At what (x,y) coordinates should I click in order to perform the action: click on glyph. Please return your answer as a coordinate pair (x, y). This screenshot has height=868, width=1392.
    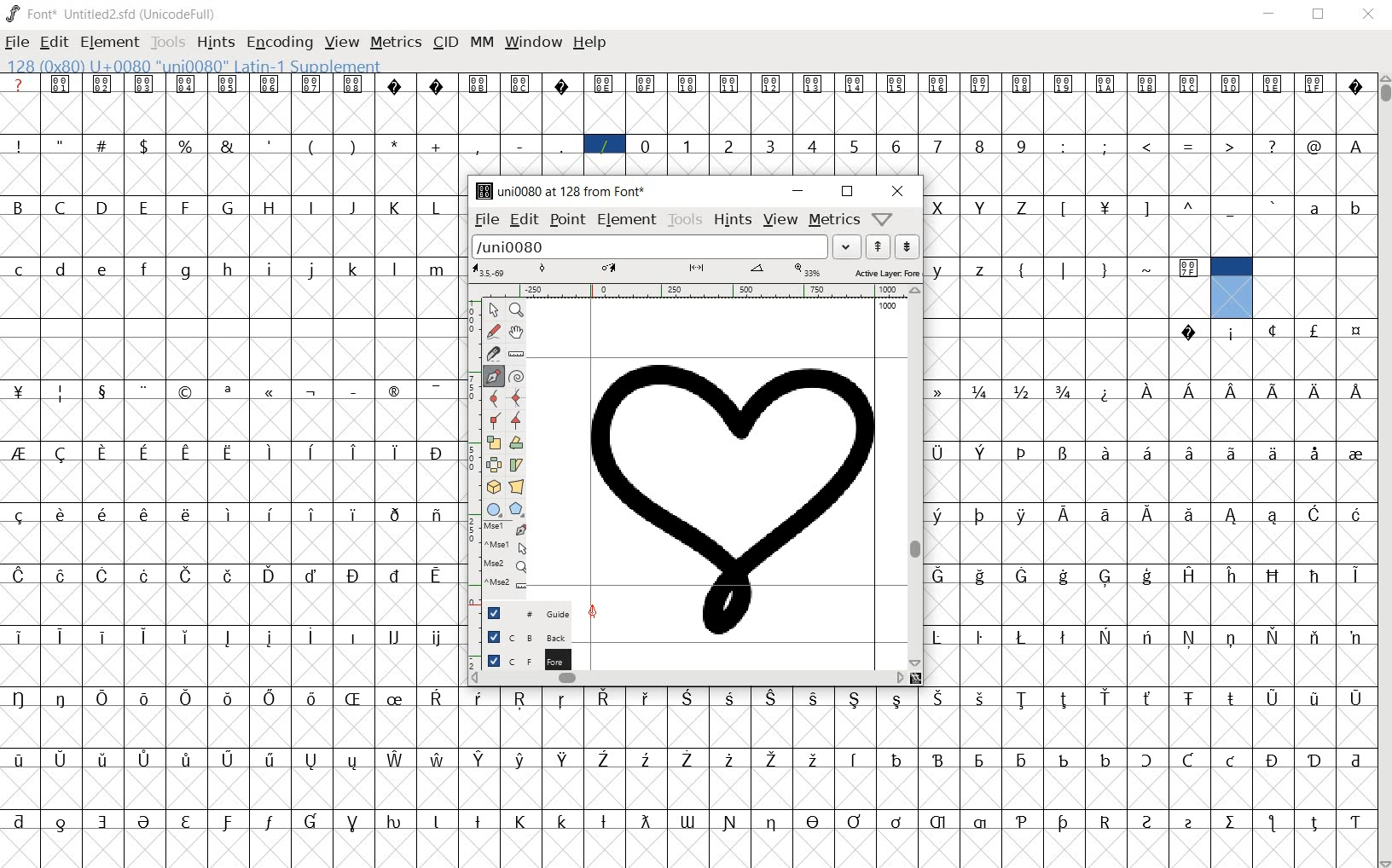
    Looking at the image, I should click on (937, 208).